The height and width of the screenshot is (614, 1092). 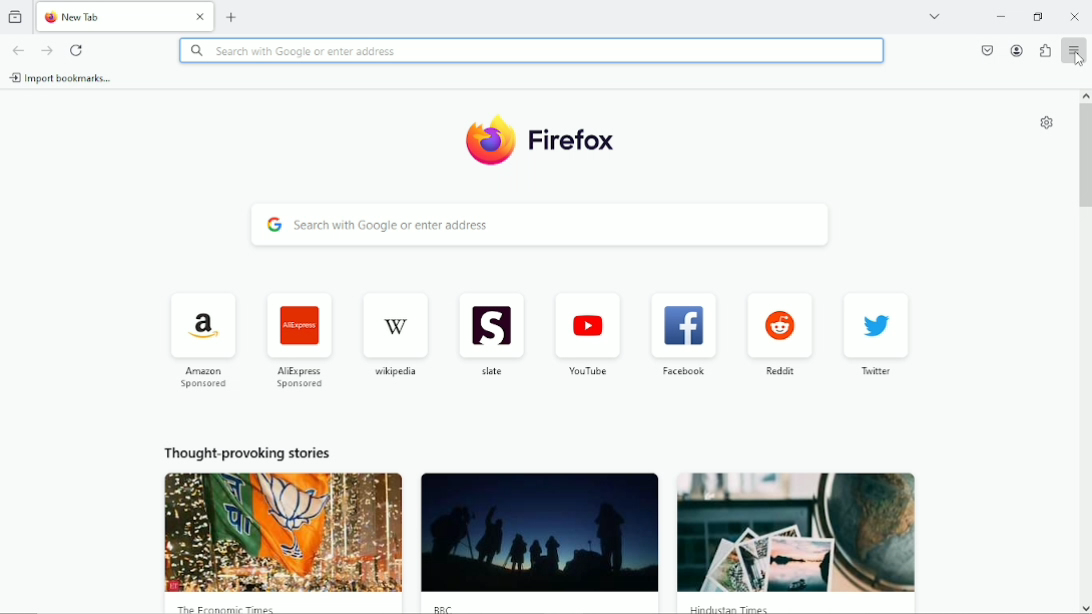 I want to click on AliExpress Sponsored, so click(x=298, y=338).